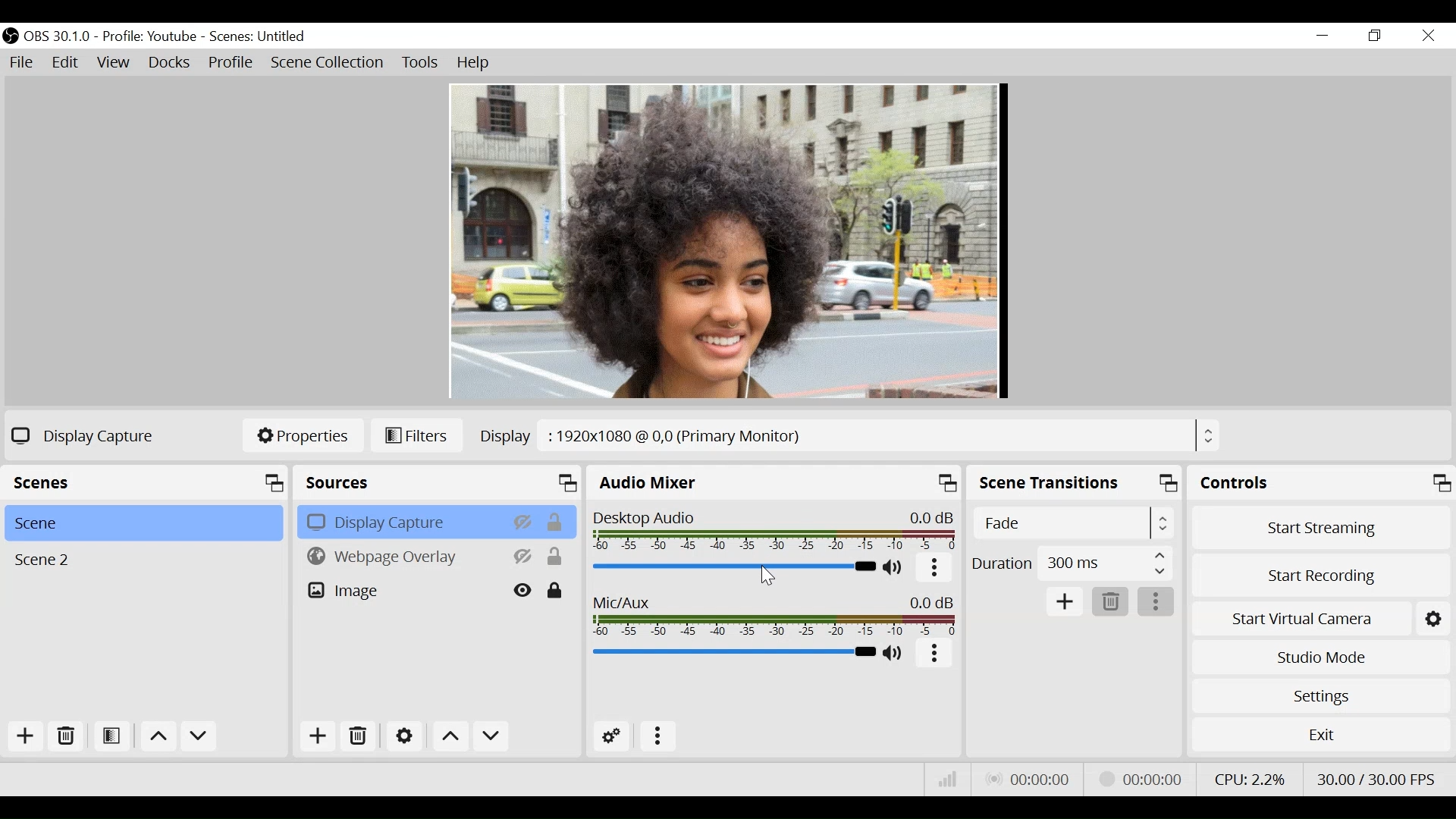  I want to click on Advanced Audio Settings, so click(613, 736).